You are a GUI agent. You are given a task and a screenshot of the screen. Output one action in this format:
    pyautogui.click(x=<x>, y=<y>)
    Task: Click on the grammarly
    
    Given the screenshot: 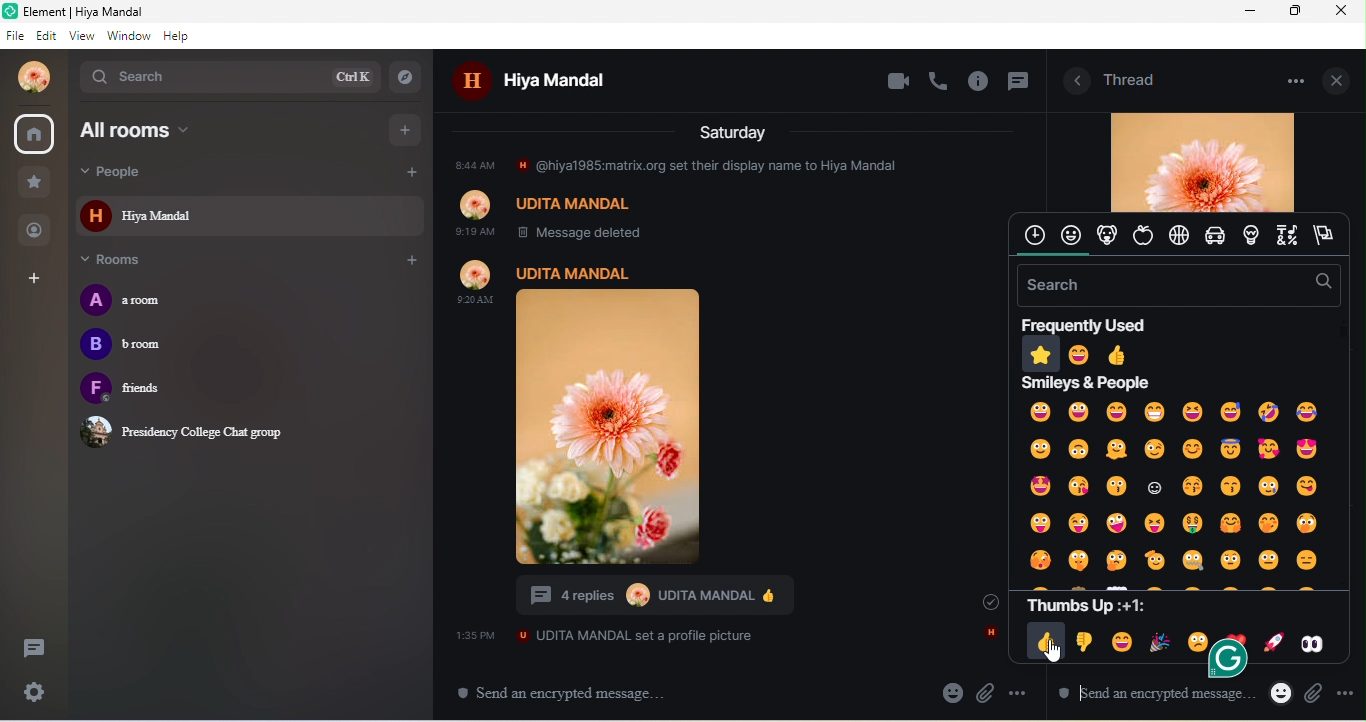 What is the action you would take?
    pyautogui.click(x=1222, y=671)
    